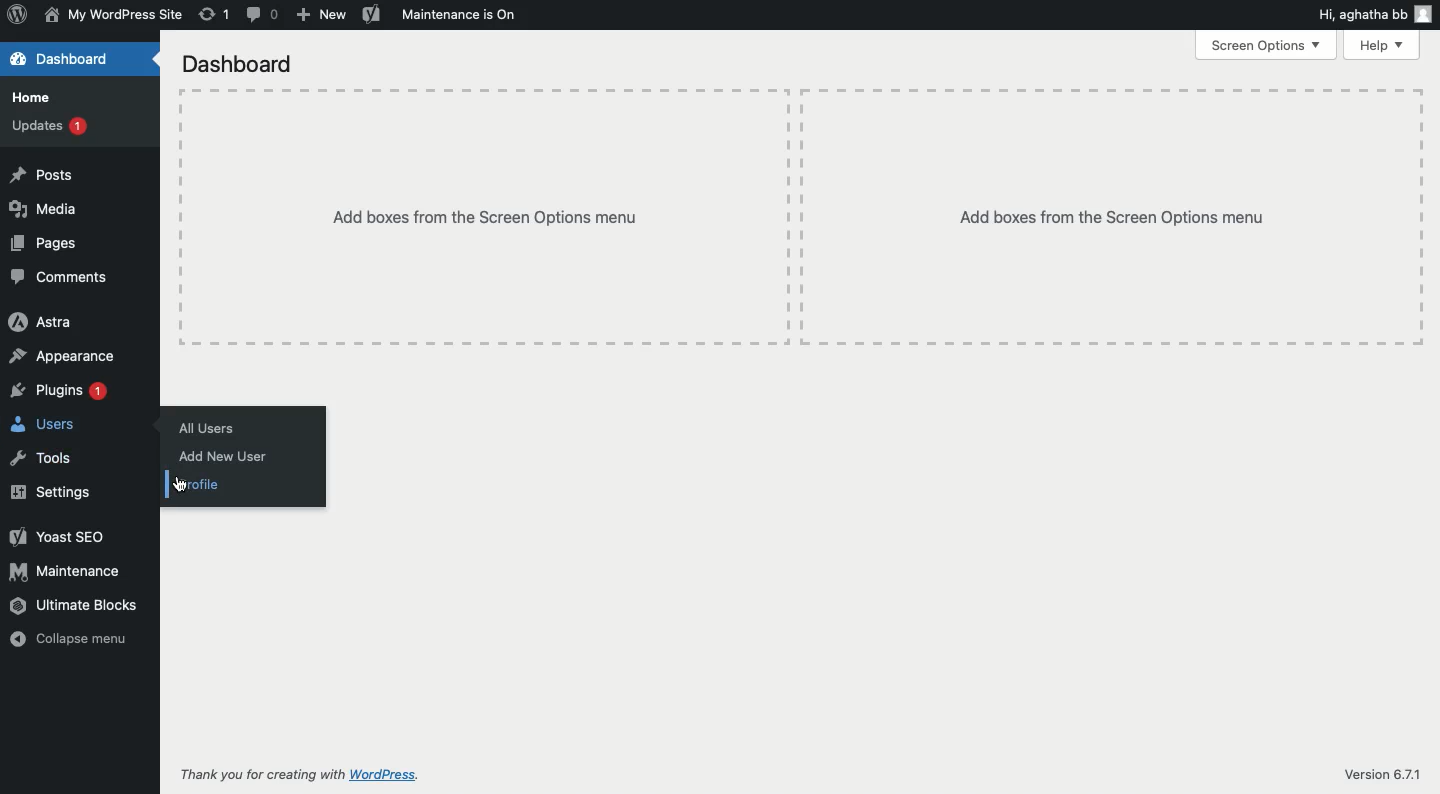 This screenshot has width=1440, height=794. What do you see at coordinates (43, 323) in the screenshot?
I see `Astra` at bounding box center [43, 323].